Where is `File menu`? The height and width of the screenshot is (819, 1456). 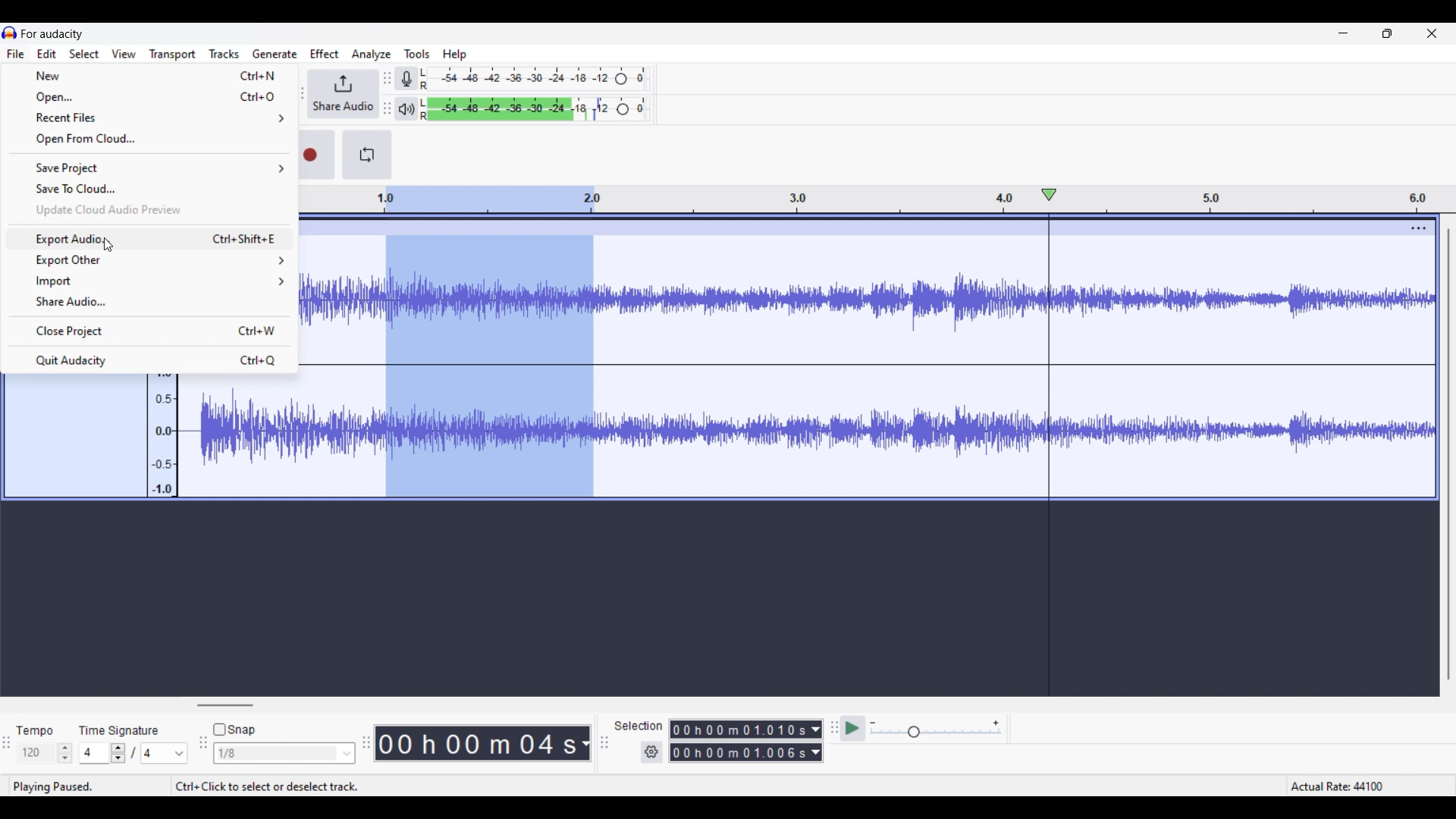 File menu is located at coordinates (16, 54).